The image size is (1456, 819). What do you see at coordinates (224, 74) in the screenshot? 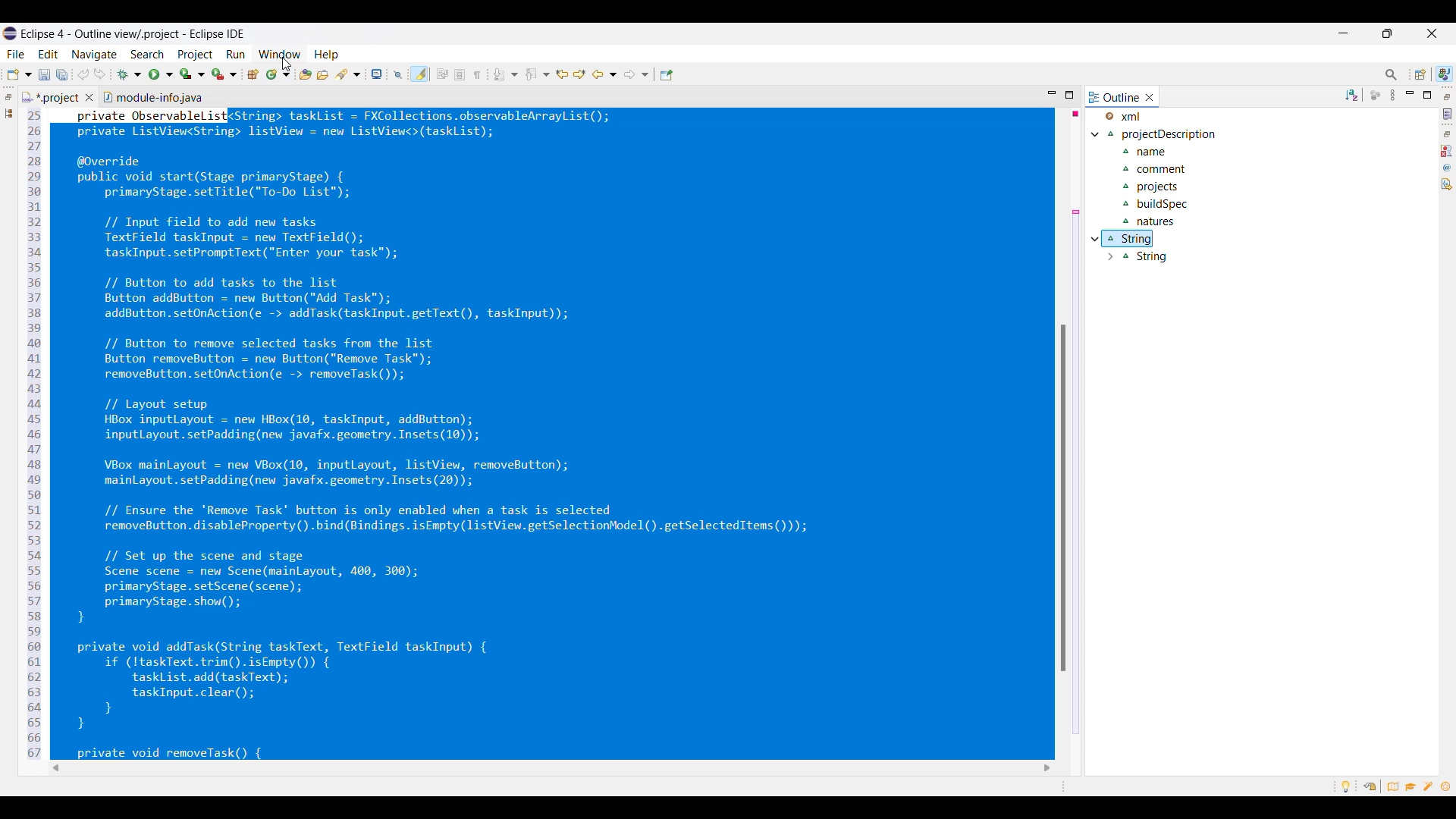
I see `Run last tool options` at bounding box center [224, 74].